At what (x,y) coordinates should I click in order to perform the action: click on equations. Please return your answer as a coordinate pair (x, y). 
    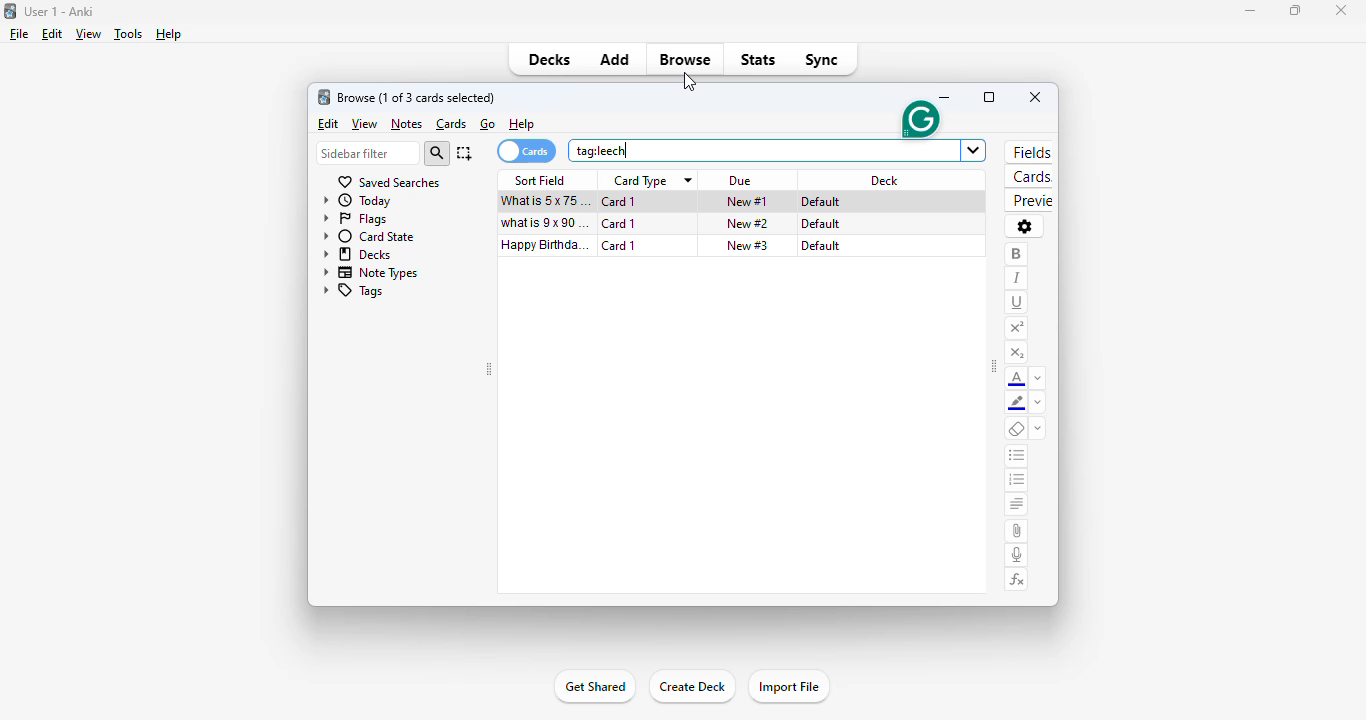
    Looking at the image, I should click on (1017, 580).